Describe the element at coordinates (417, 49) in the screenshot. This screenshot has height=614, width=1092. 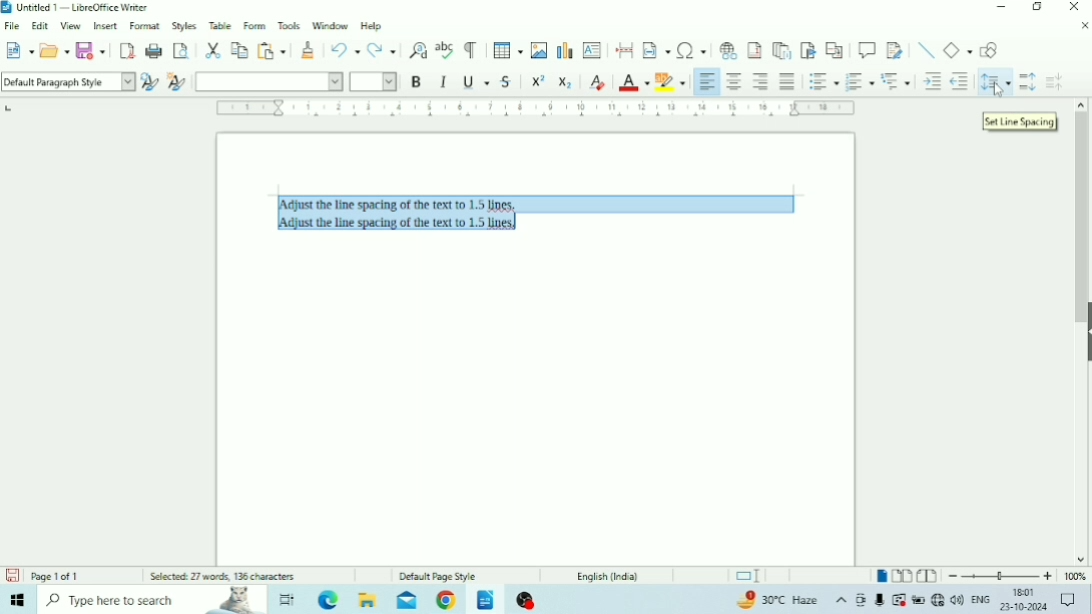
I see `Find and Replace` at that location.